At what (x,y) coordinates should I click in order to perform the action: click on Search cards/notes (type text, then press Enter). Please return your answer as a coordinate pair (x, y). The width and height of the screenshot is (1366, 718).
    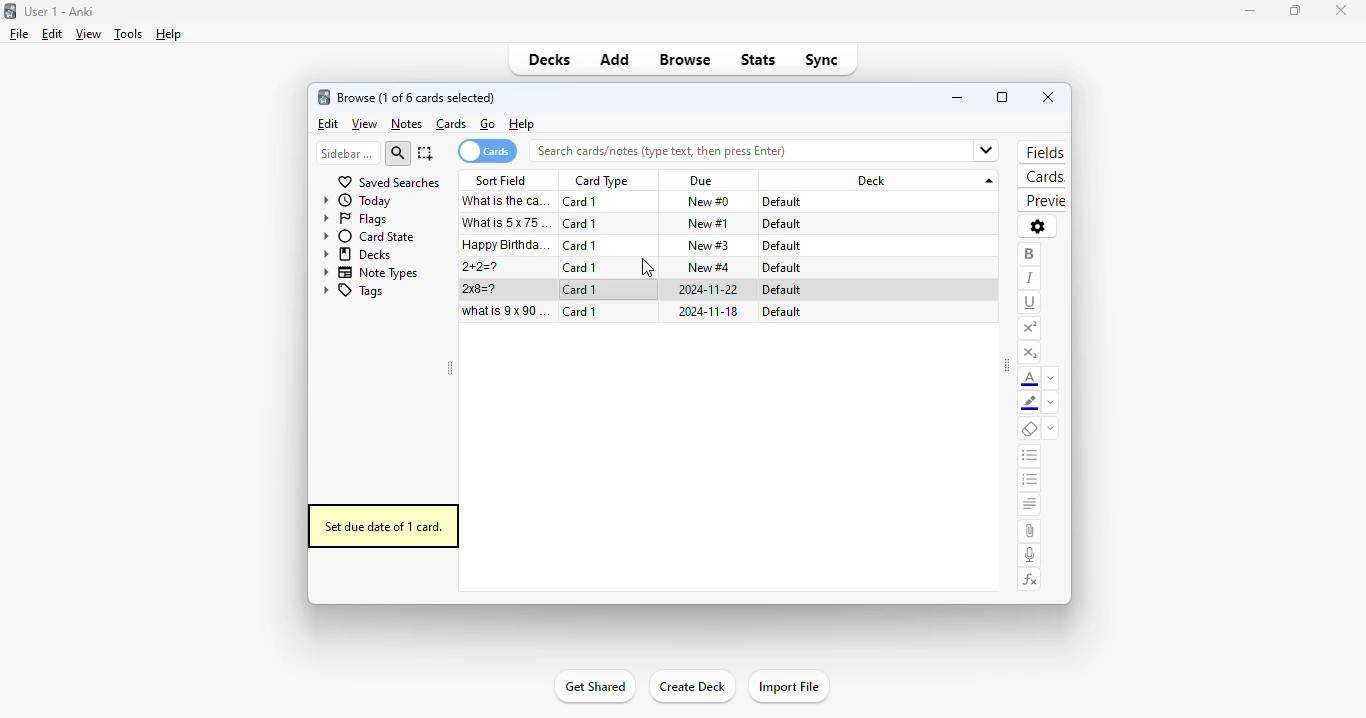
    Looking at the image, I should click on (770, 150).